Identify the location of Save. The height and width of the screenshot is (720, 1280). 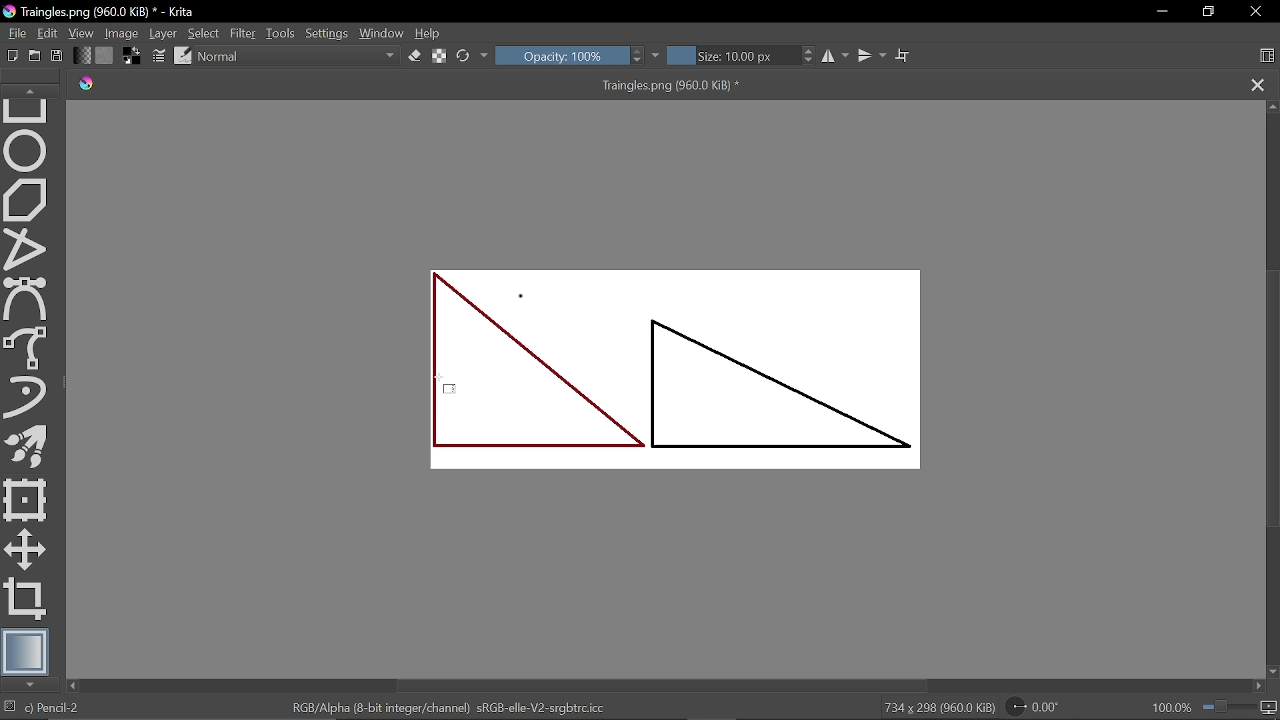
(59, 56).